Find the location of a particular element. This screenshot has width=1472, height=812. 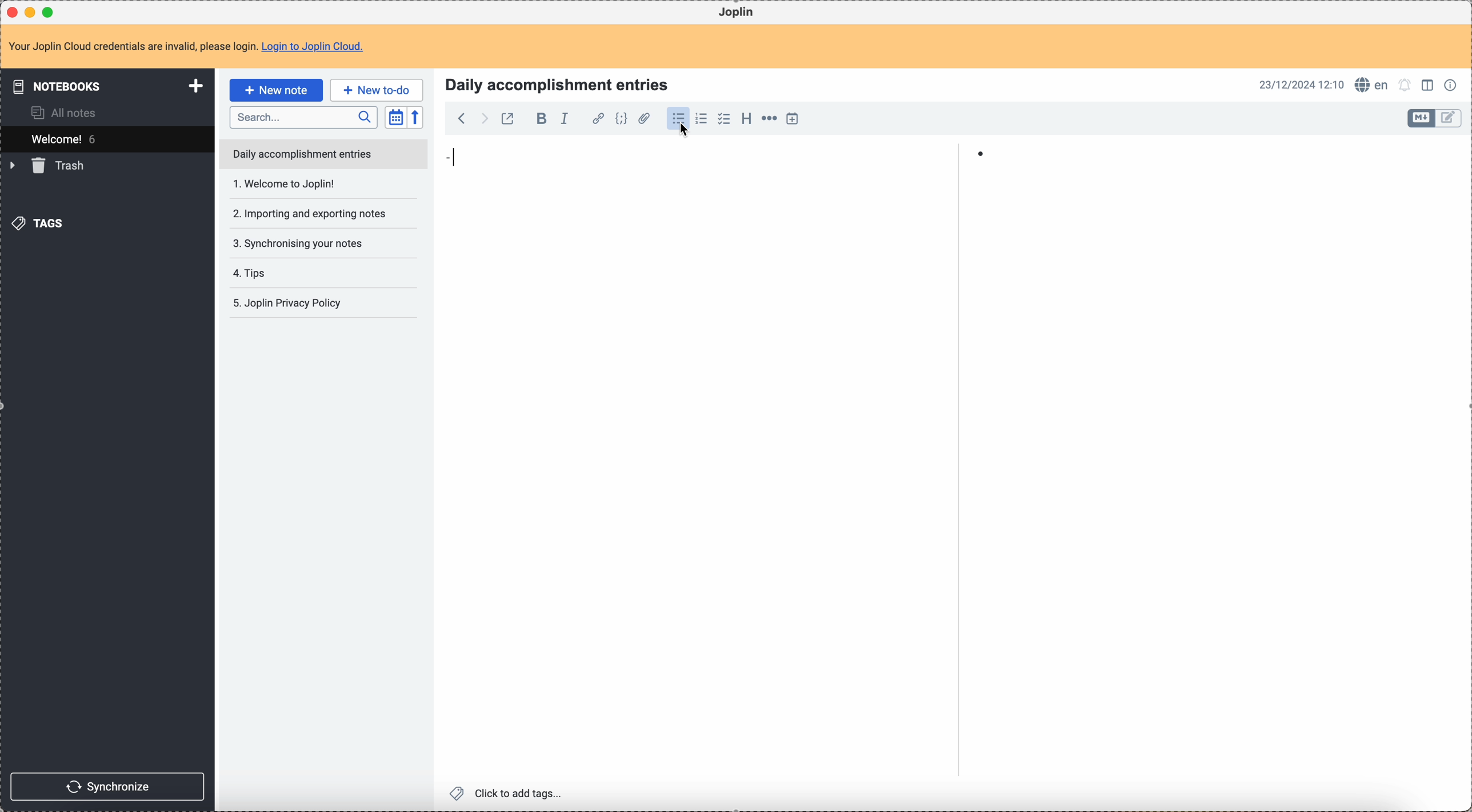

insert time is located at coordinates (792, 119).